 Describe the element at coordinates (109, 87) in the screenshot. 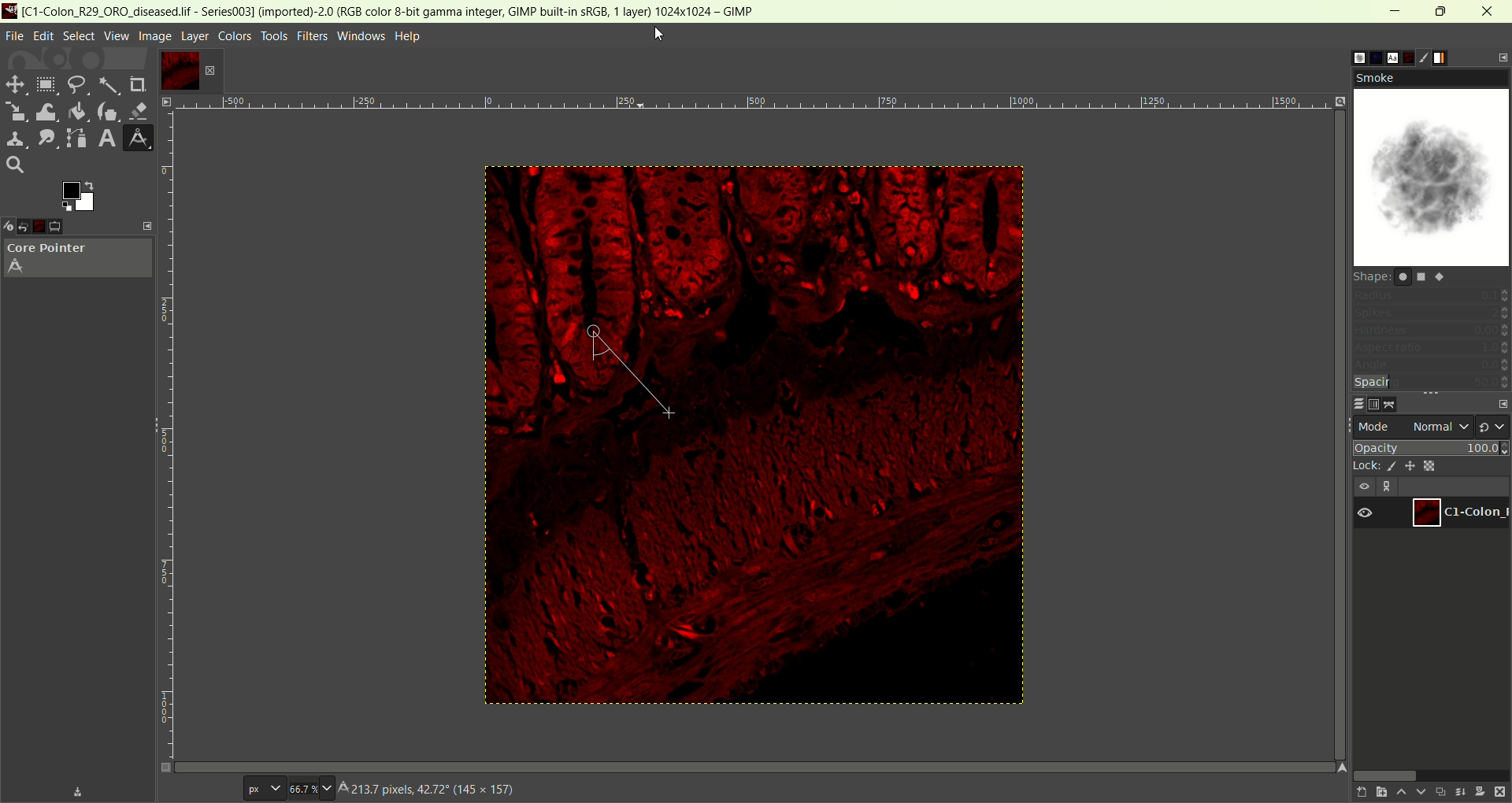

I see `fuzzy select tool` at that location.